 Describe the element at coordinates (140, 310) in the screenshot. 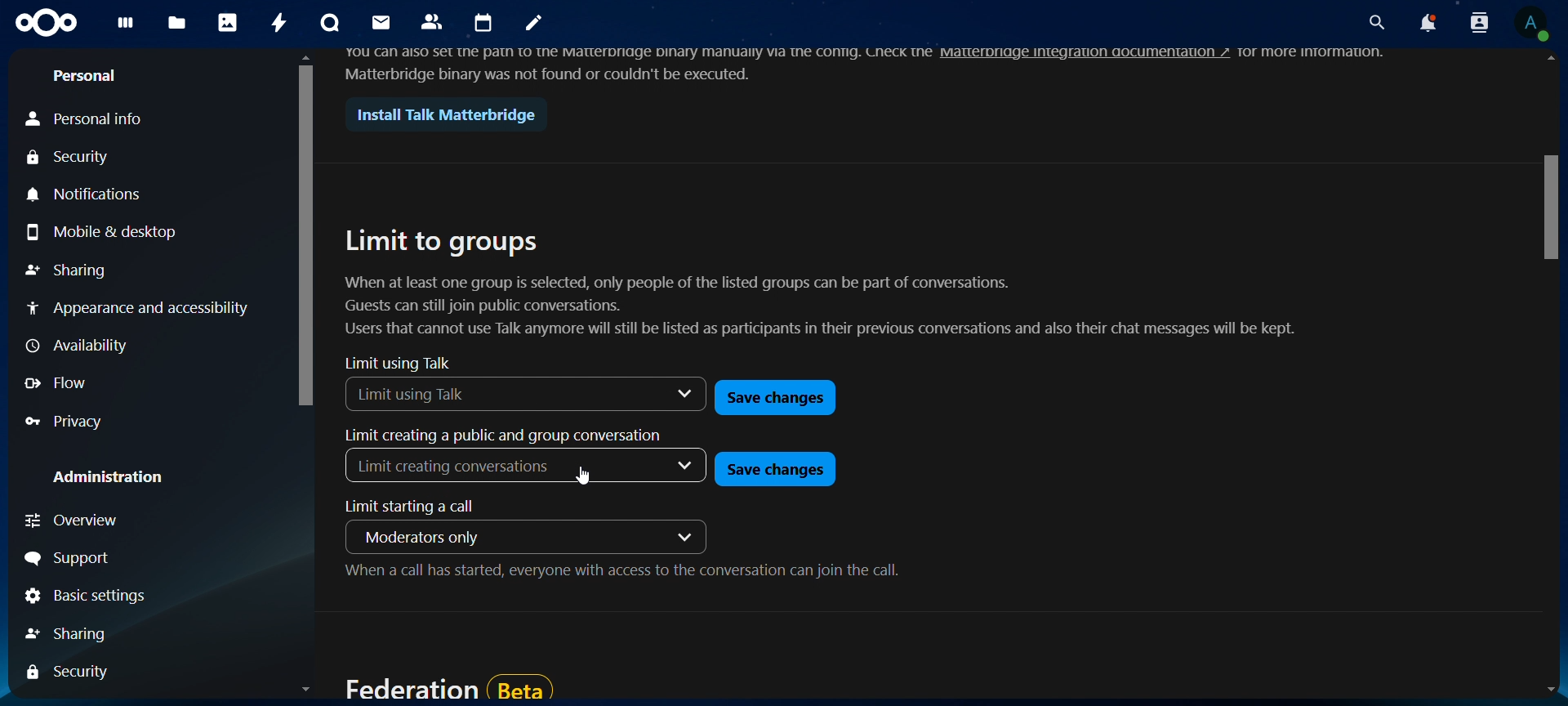

I see `Appearence` at that location.